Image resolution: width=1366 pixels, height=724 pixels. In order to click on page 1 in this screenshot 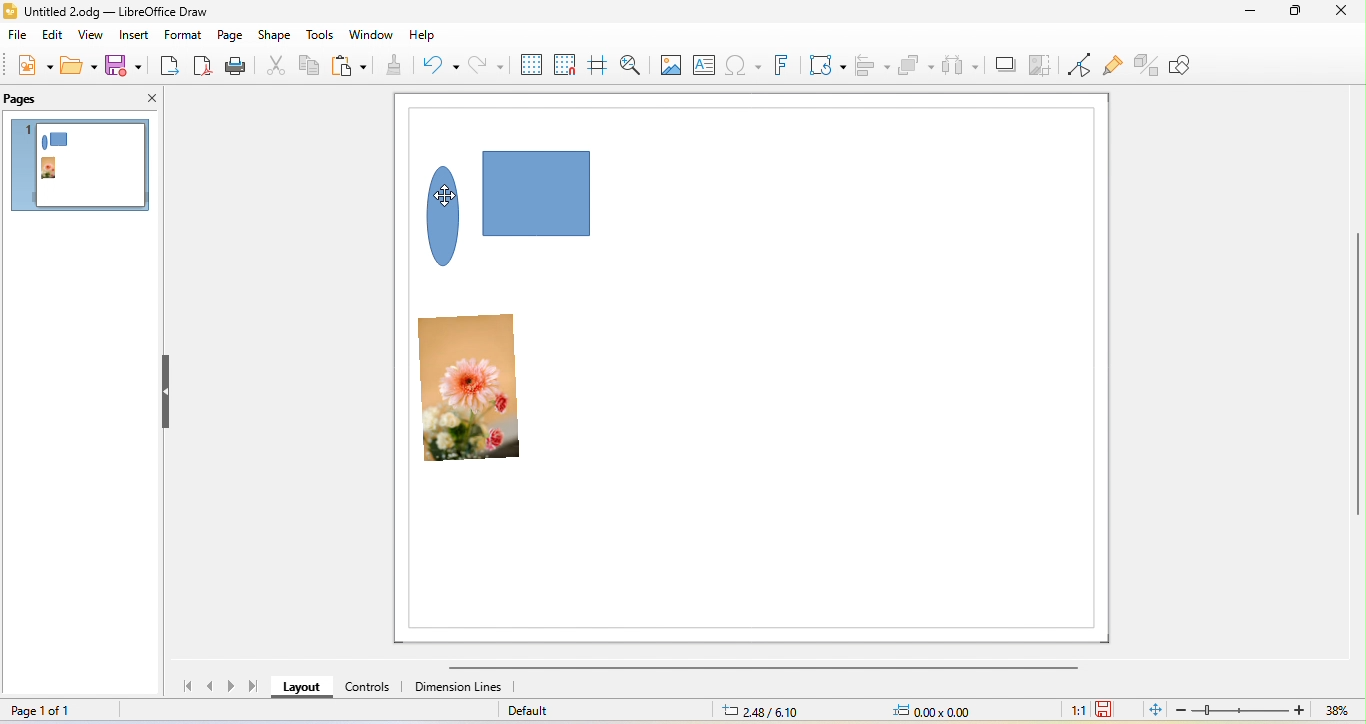, I will do `click(78, 168)`.